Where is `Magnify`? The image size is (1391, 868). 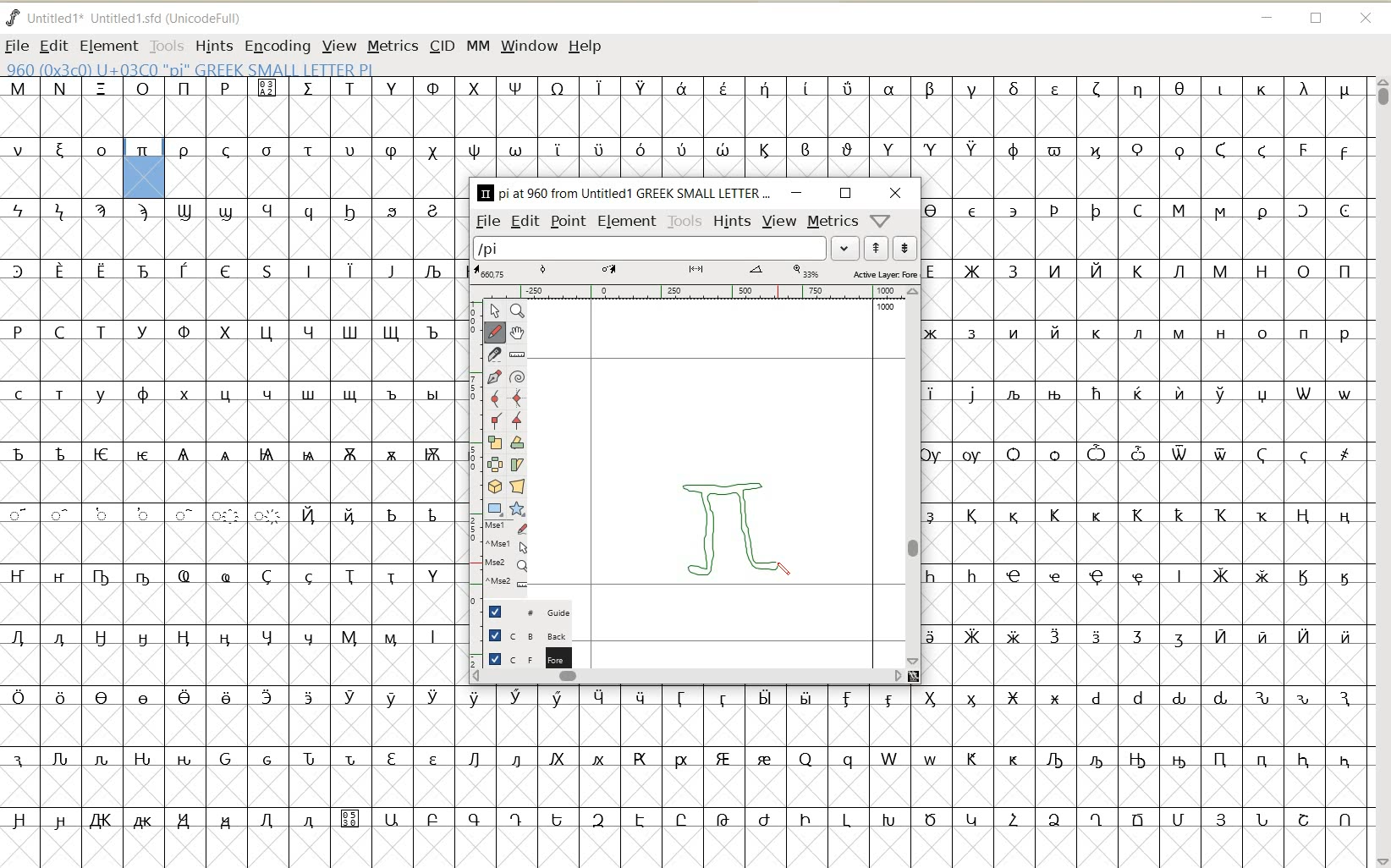 Magnify is located at coordinates (519, 312).